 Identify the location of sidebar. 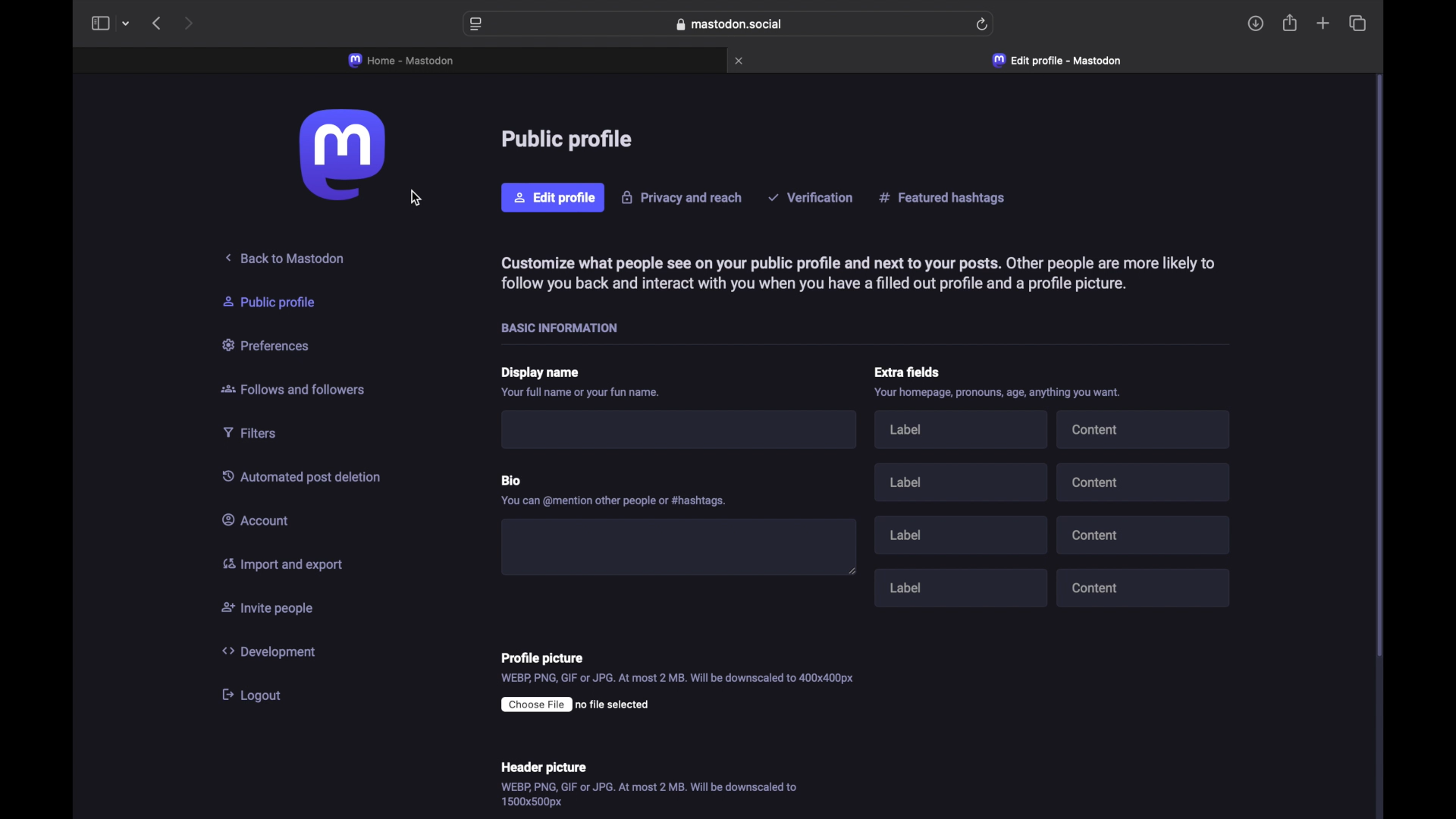
(99, 24).